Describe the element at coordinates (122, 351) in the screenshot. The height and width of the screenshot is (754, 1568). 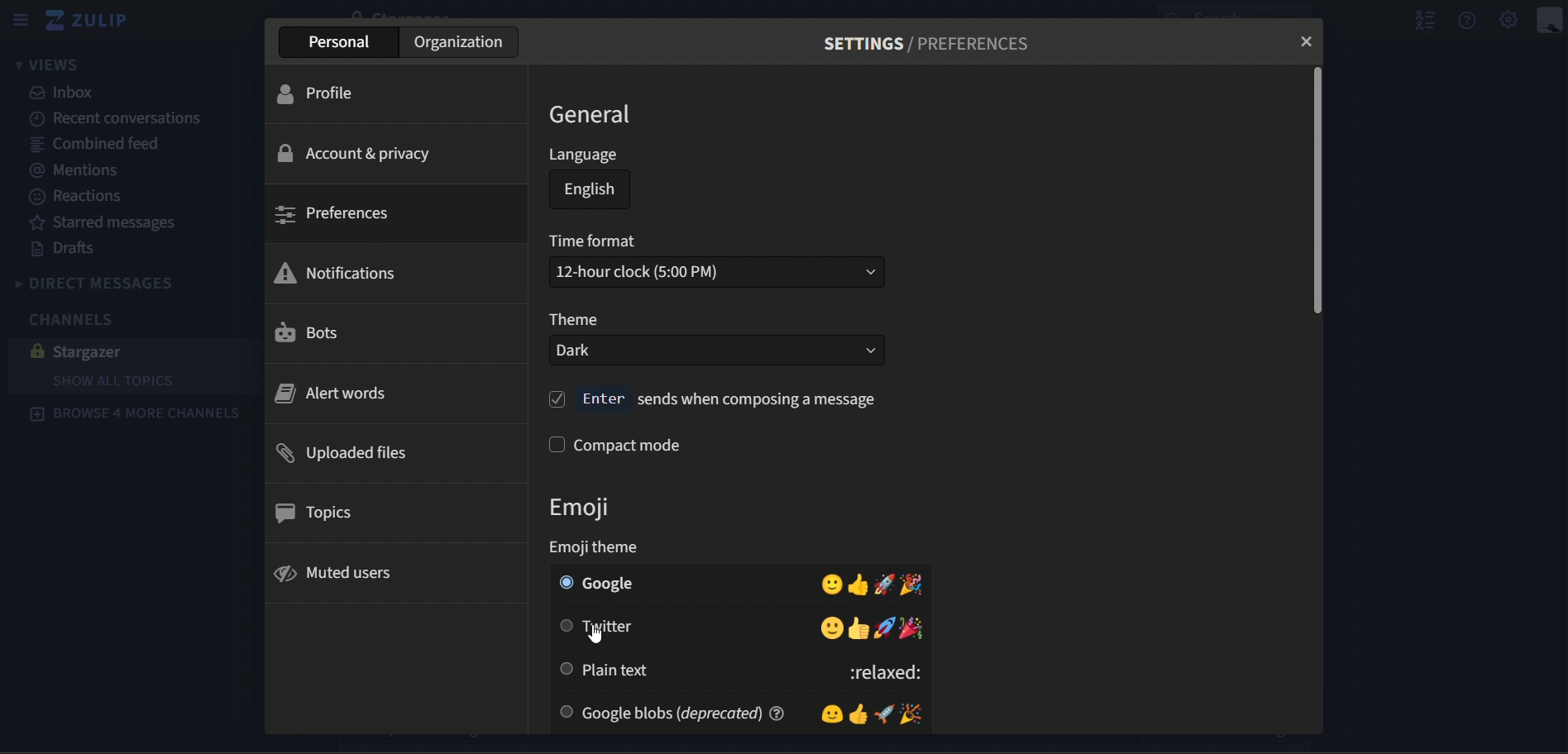
I see `stargazer` at that location.